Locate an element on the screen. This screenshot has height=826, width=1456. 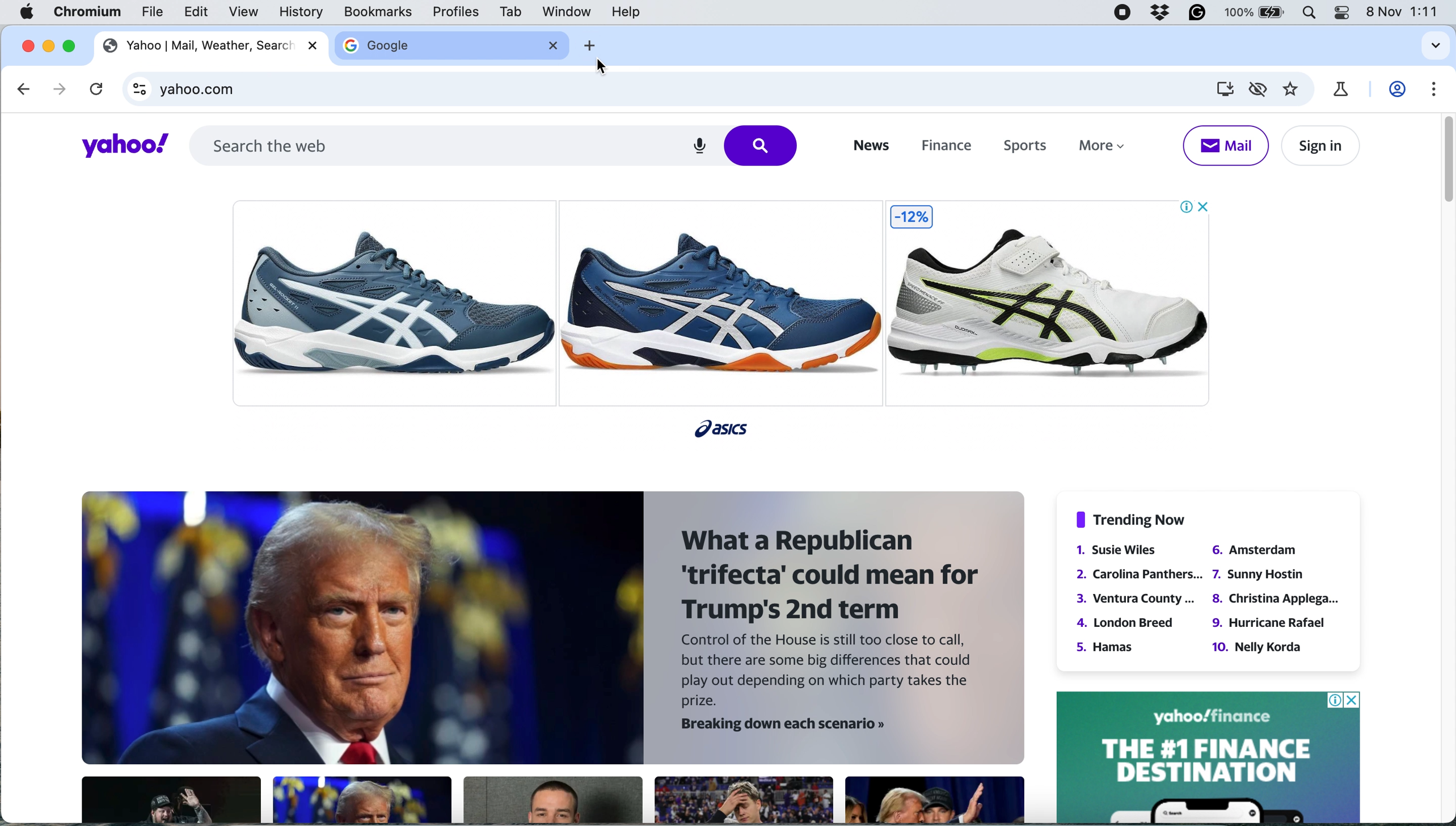
yahoo | mail, weather, search is located at coordinates (197, 47).